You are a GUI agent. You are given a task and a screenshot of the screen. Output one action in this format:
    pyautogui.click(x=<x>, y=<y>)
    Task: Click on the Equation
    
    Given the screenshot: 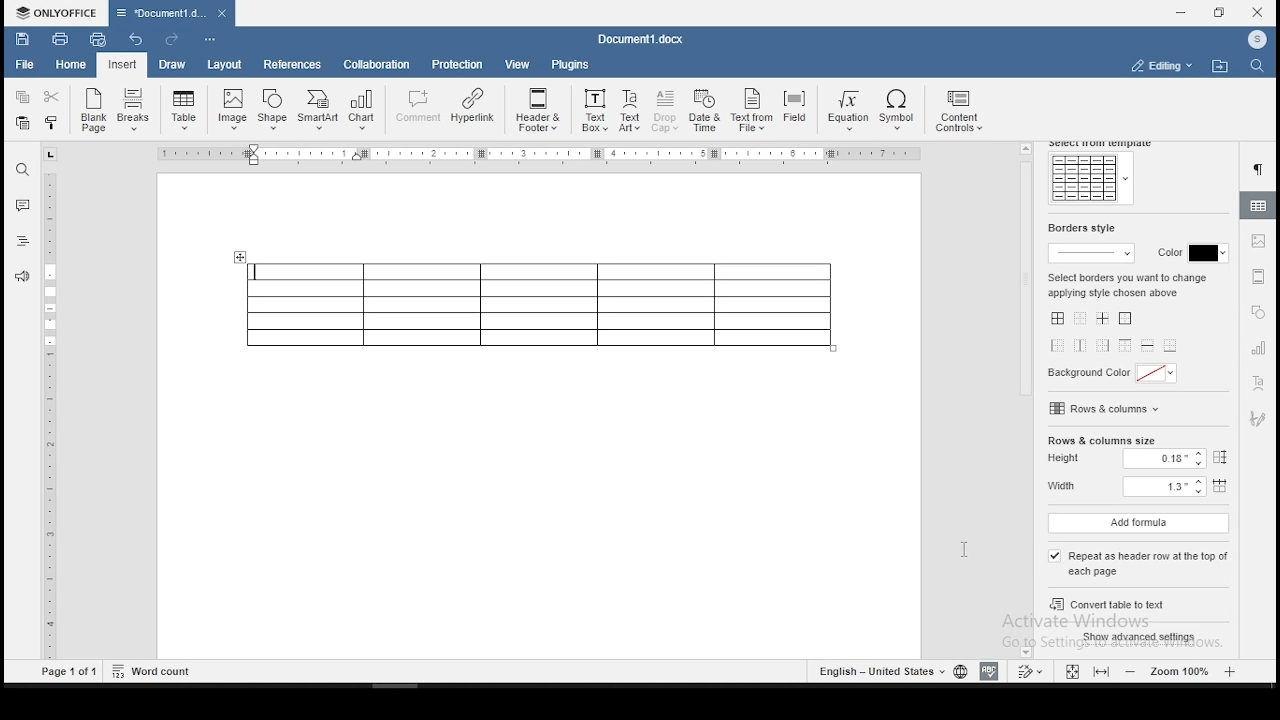 What is the action you would take?
    pyautogui.click(x=845, y=112)
    